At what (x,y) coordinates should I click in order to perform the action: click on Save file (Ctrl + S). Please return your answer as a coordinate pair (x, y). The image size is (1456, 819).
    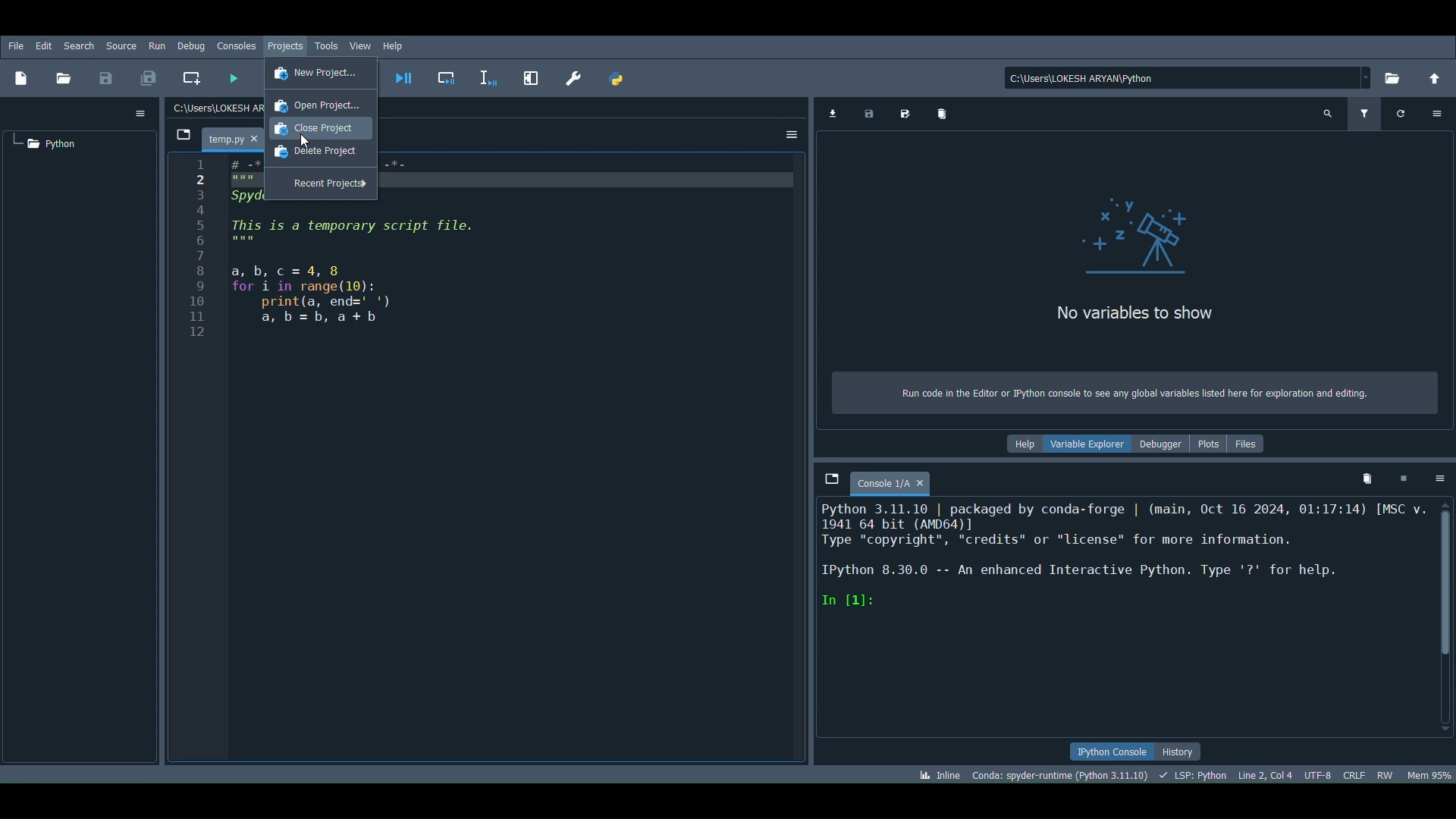
    Looking at the image, I should click on (103, 77).